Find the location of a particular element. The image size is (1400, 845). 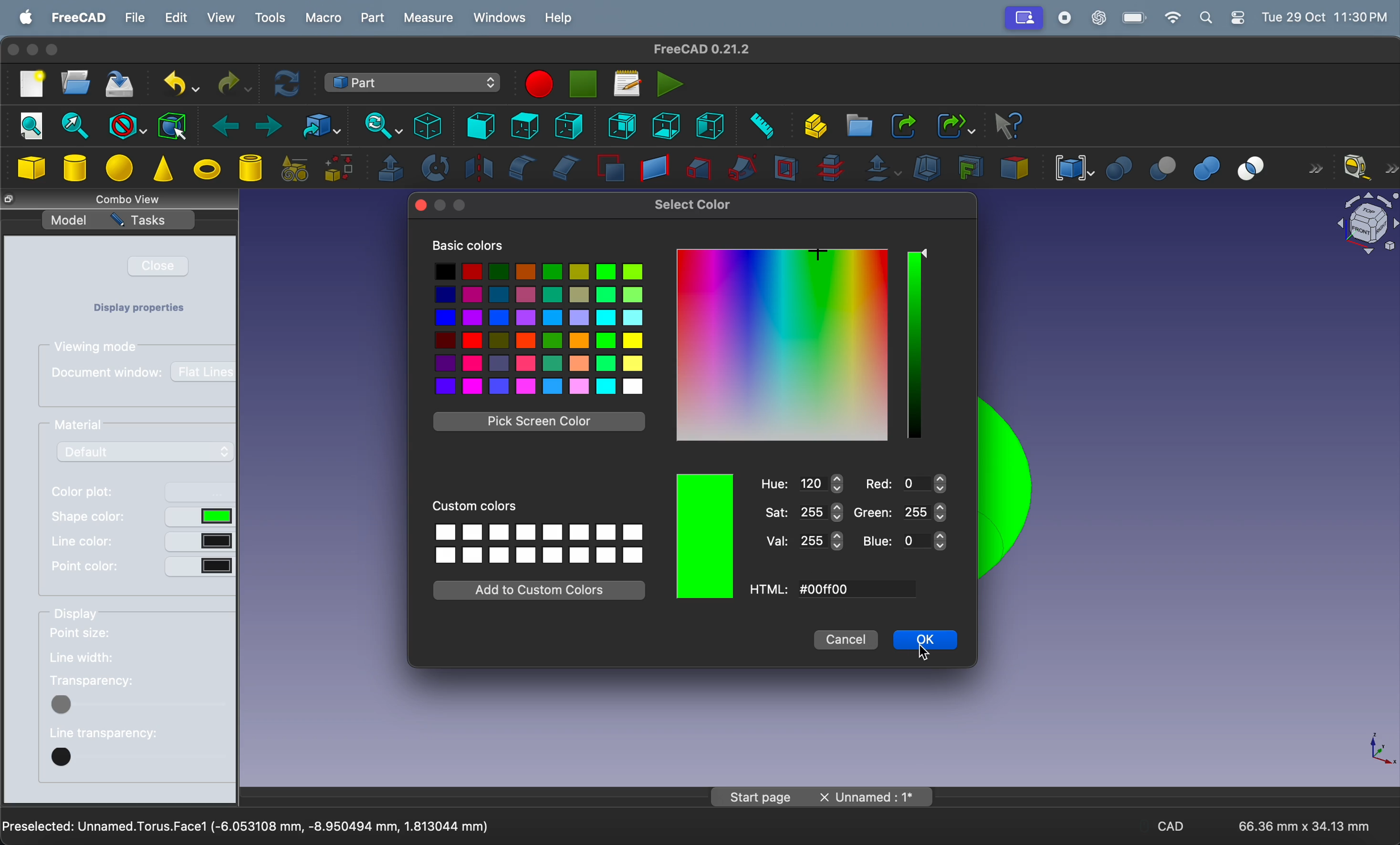

section is located at coordinates (786, 168).